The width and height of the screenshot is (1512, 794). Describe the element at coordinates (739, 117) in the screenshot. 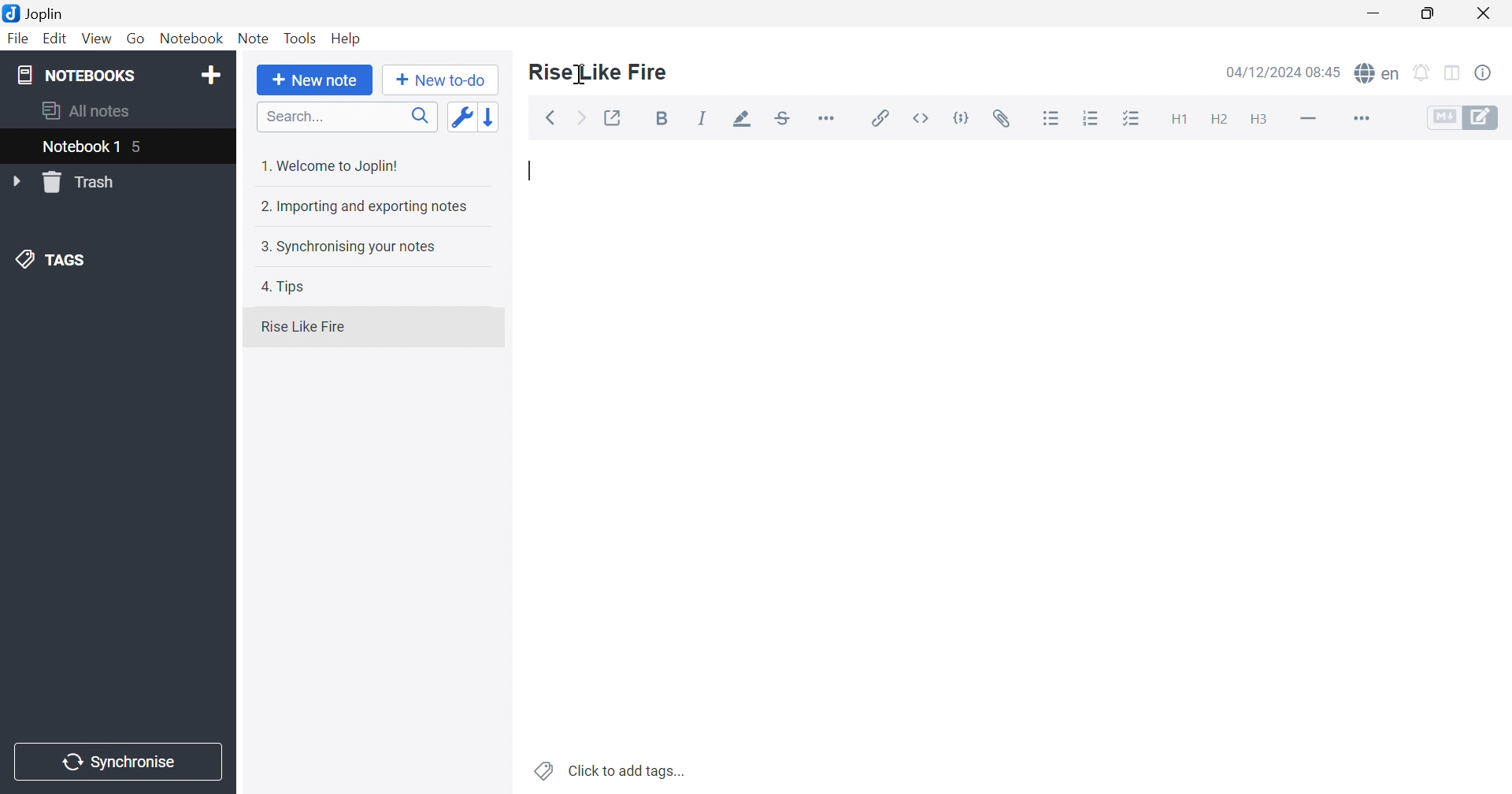

I see `Highlight` at that location.